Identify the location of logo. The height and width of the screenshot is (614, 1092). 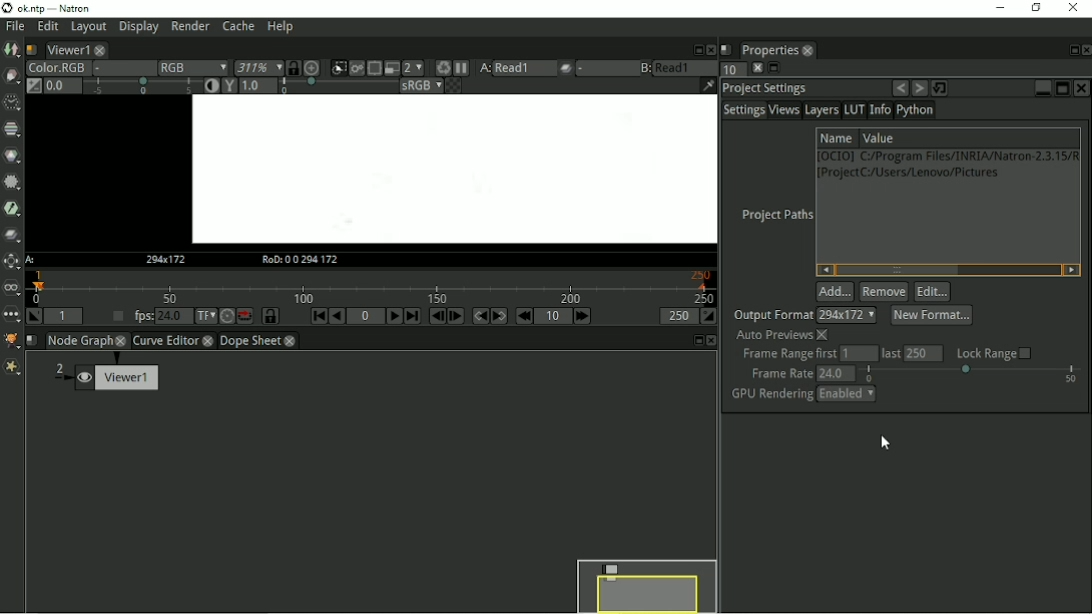
(7, 8).